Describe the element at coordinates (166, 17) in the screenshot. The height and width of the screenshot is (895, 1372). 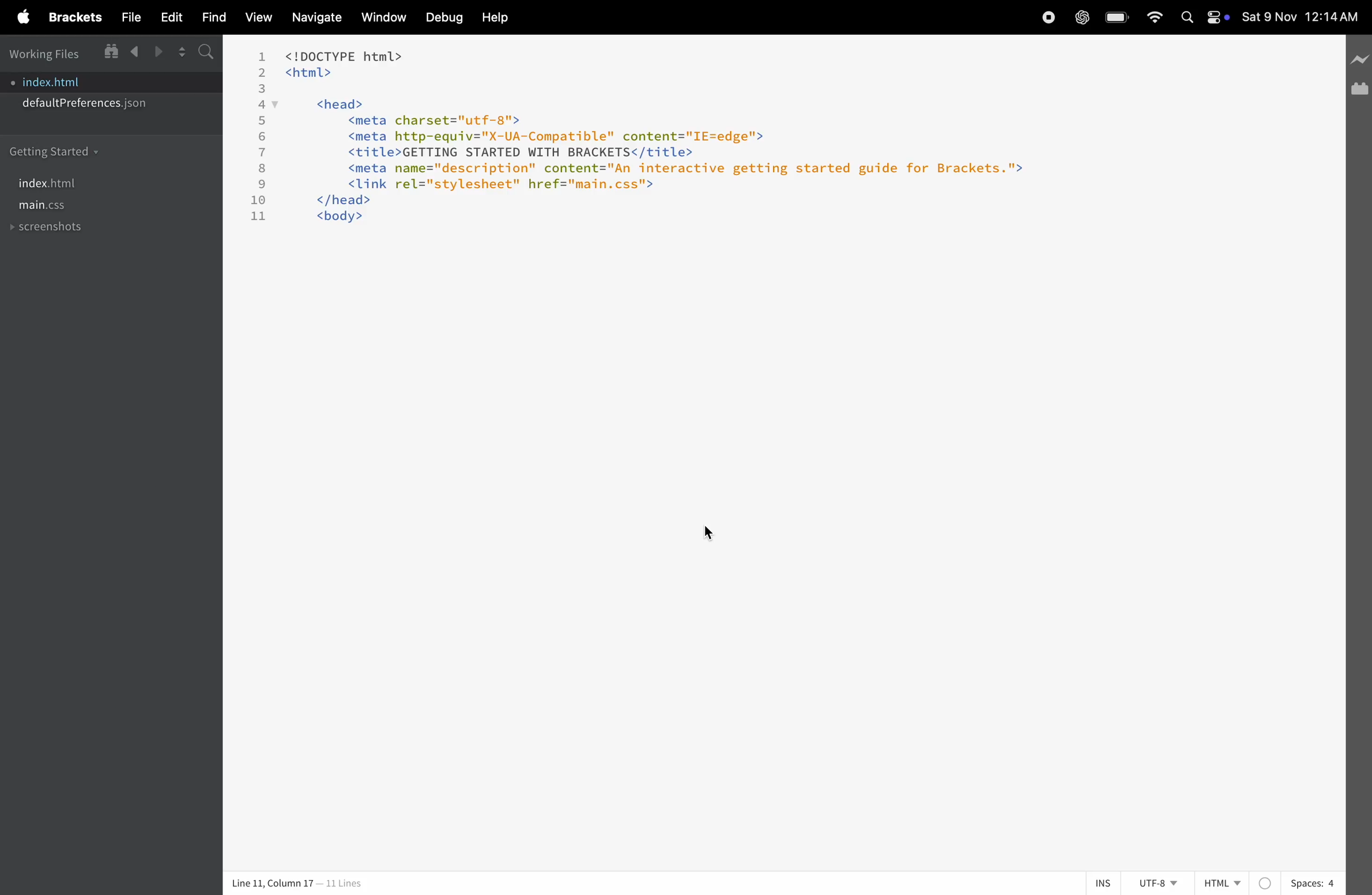
I see `edit` at that location.